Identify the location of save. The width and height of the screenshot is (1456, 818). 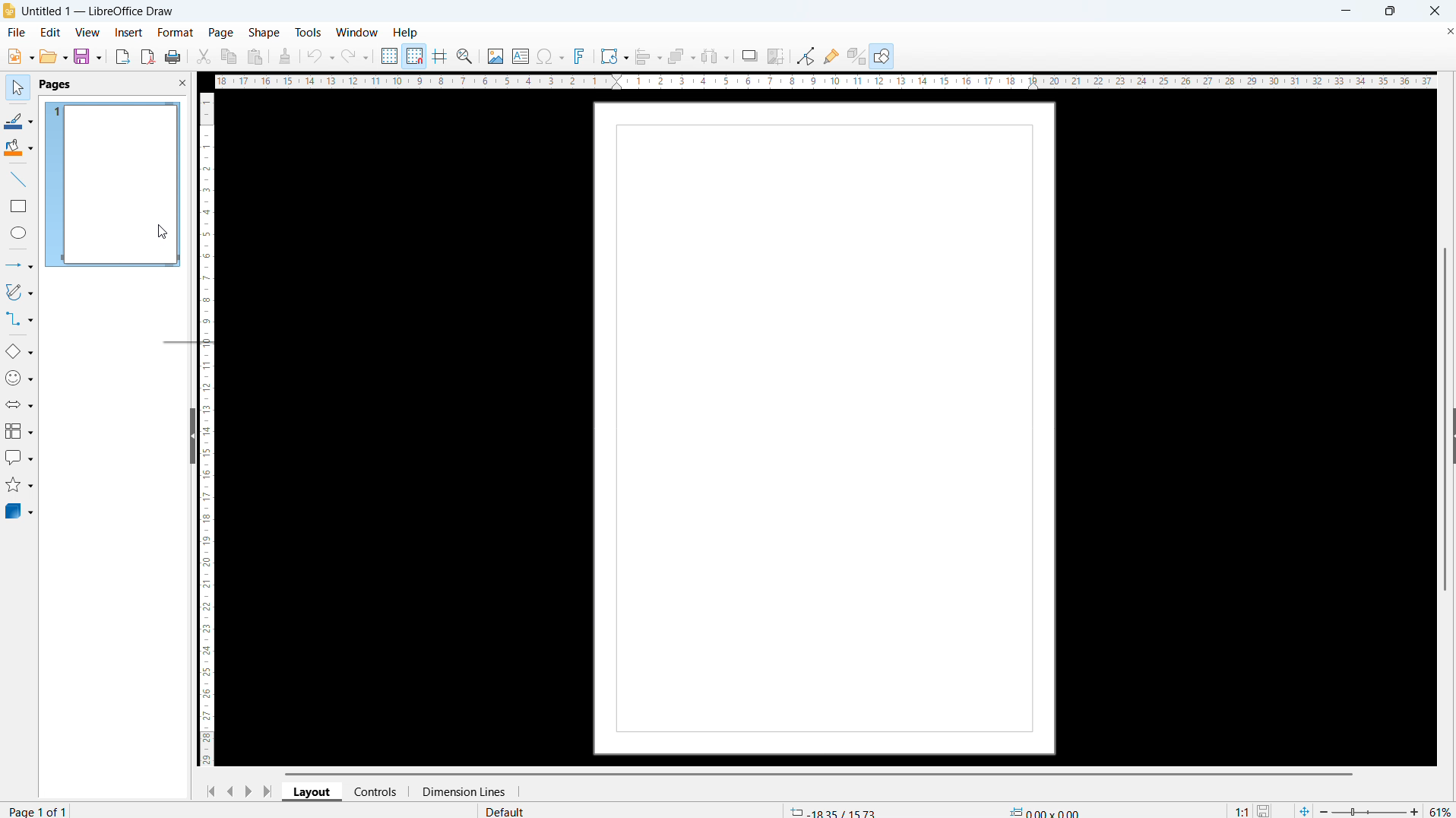
(1266, 809).